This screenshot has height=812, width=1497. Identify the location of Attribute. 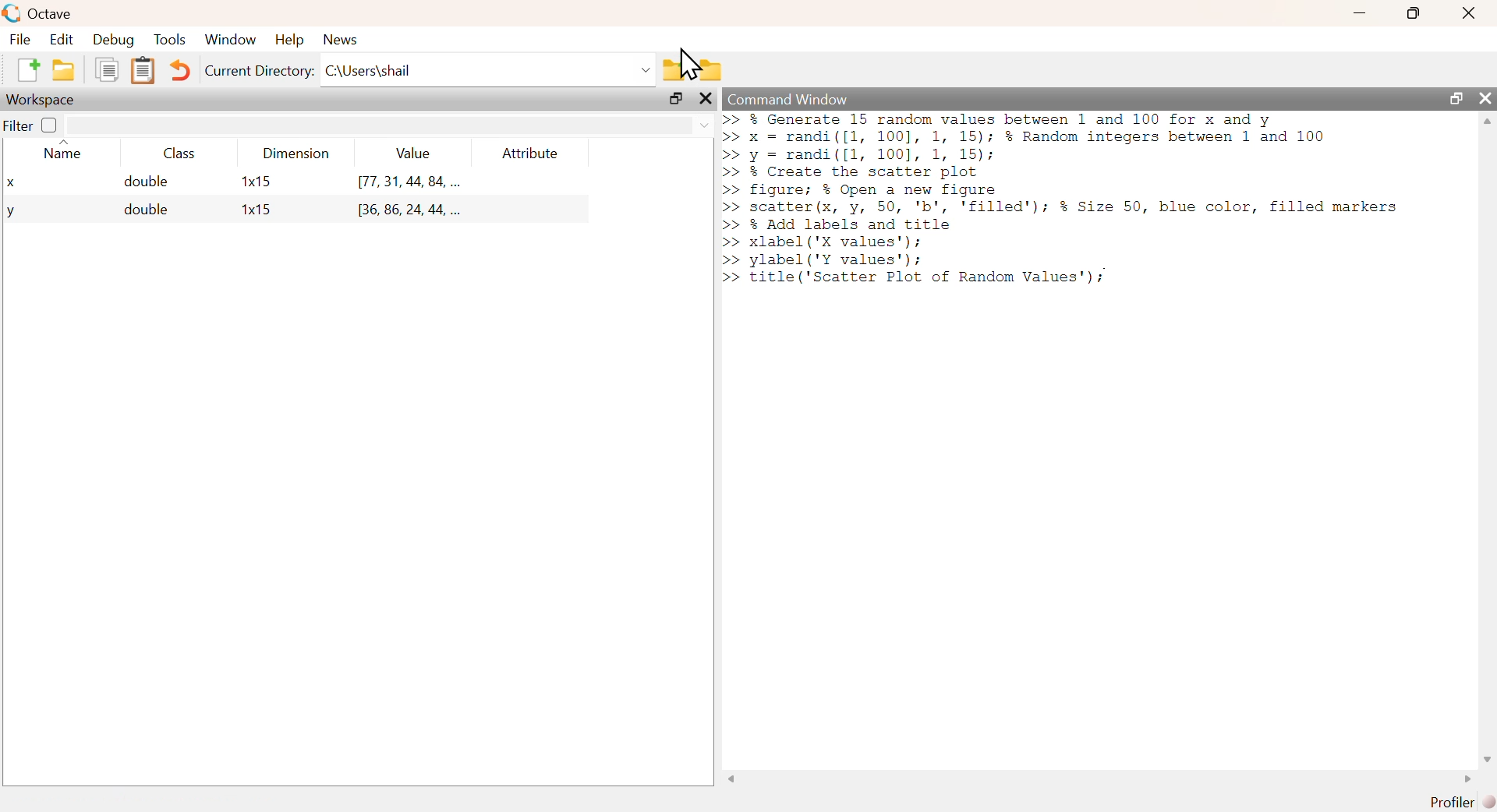
(531, 153).